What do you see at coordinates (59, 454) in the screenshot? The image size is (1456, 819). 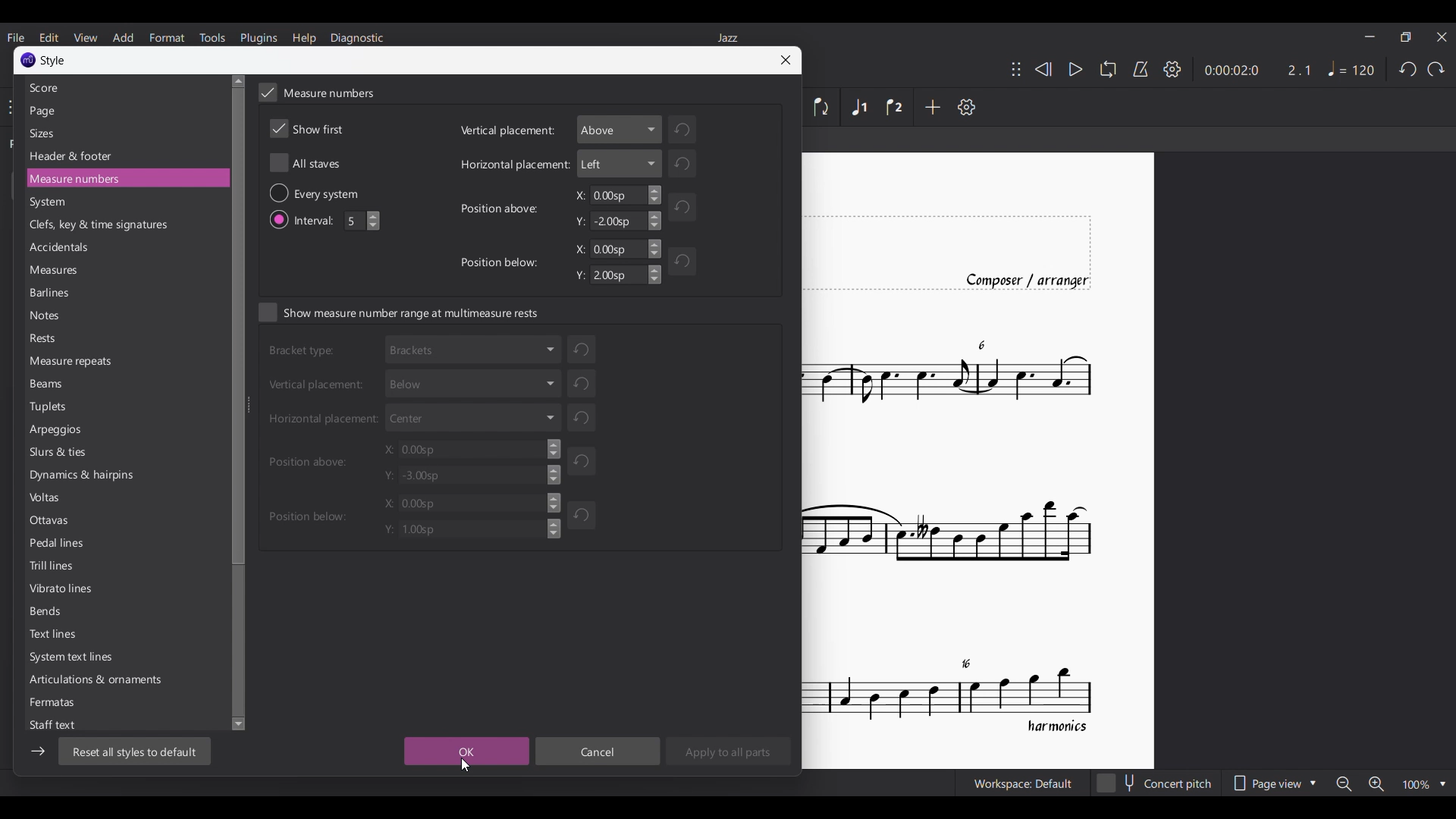 I see `Slurs` at bounding box center [59, 454].